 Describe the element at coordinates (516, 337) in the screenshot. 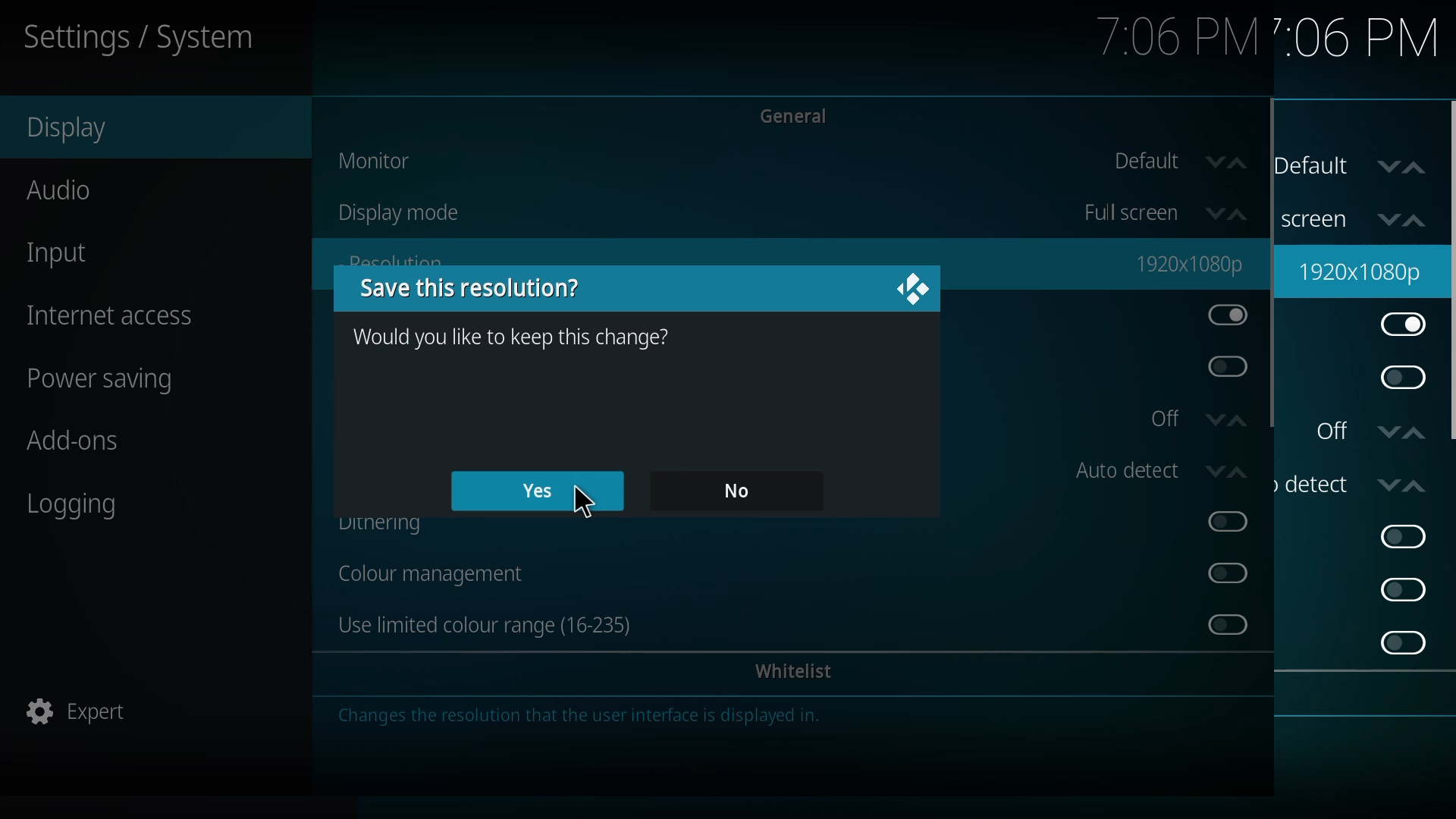

I see `confirm change` at that location.